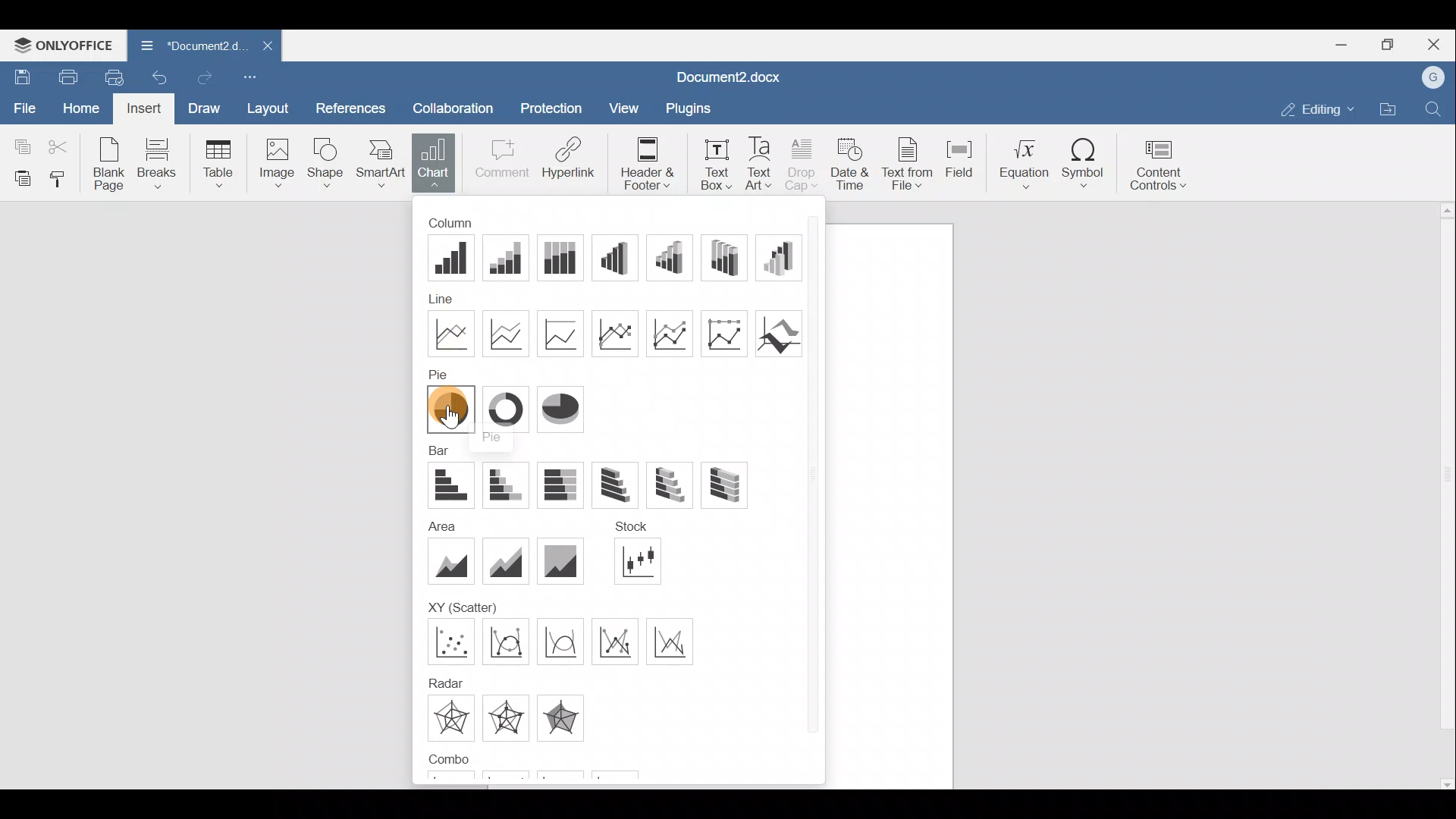 The width and height of the screenshot is (1456, 819). I want to click on Field, so click(963, 160).